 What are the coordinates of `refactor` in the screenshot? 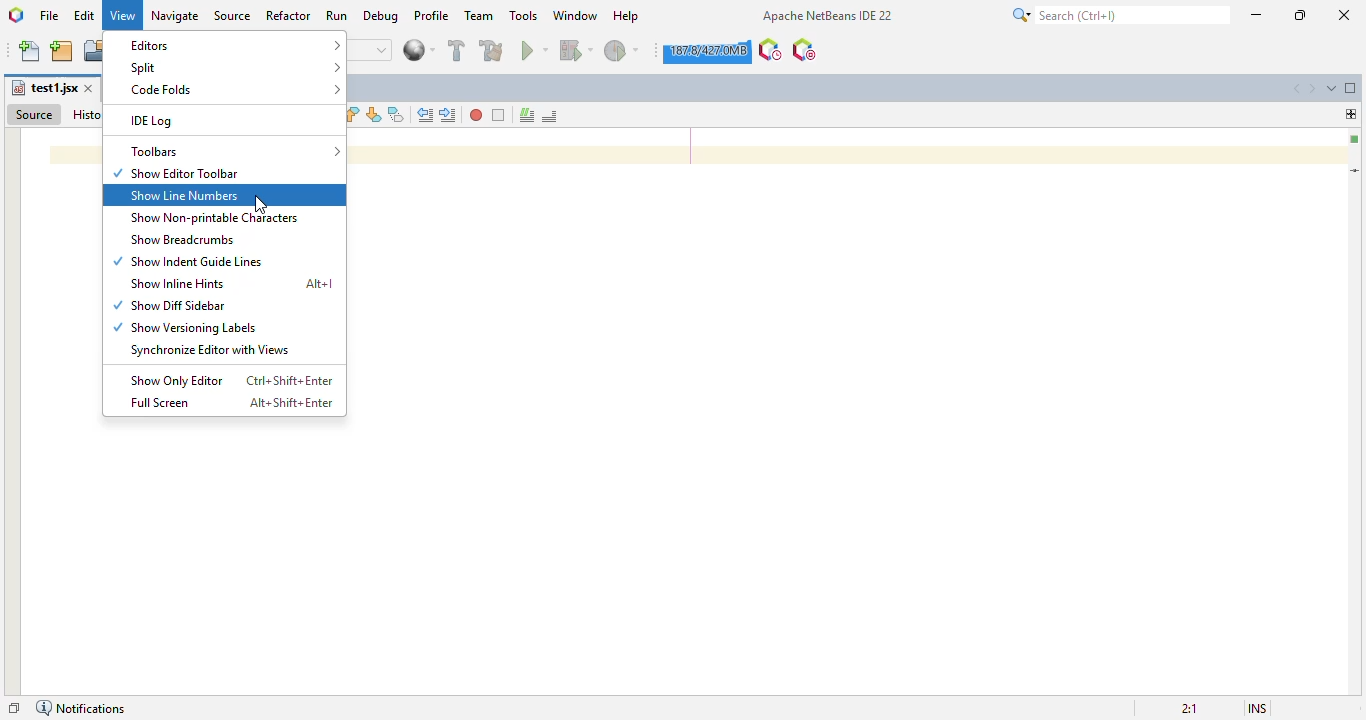 It's located at (289, 15).